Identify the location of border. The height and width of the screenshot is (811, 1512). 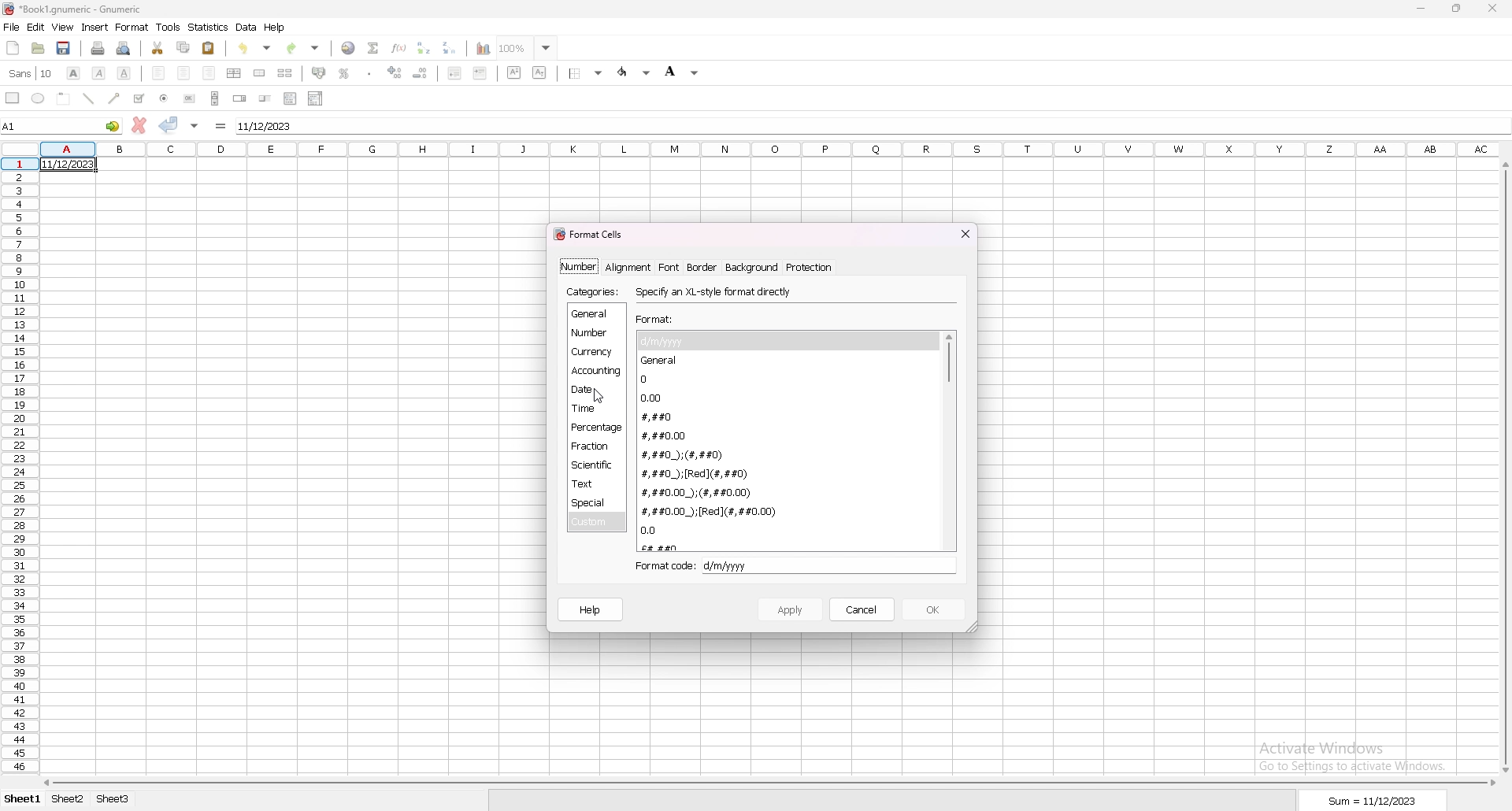
(702, 267).